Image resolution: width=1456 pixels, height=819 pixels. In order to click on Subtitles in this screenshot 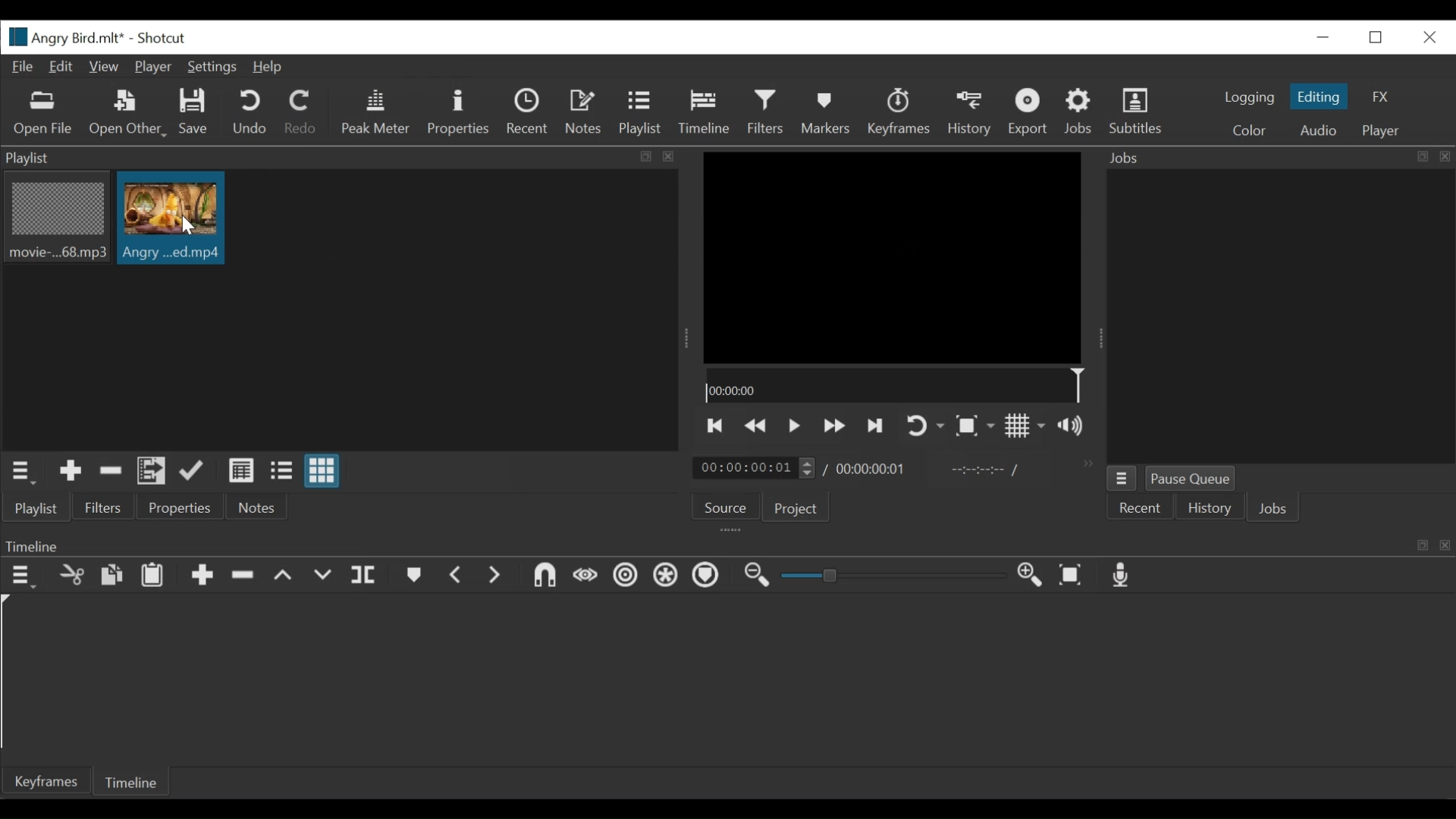, I will do `click(1140, 115)`.